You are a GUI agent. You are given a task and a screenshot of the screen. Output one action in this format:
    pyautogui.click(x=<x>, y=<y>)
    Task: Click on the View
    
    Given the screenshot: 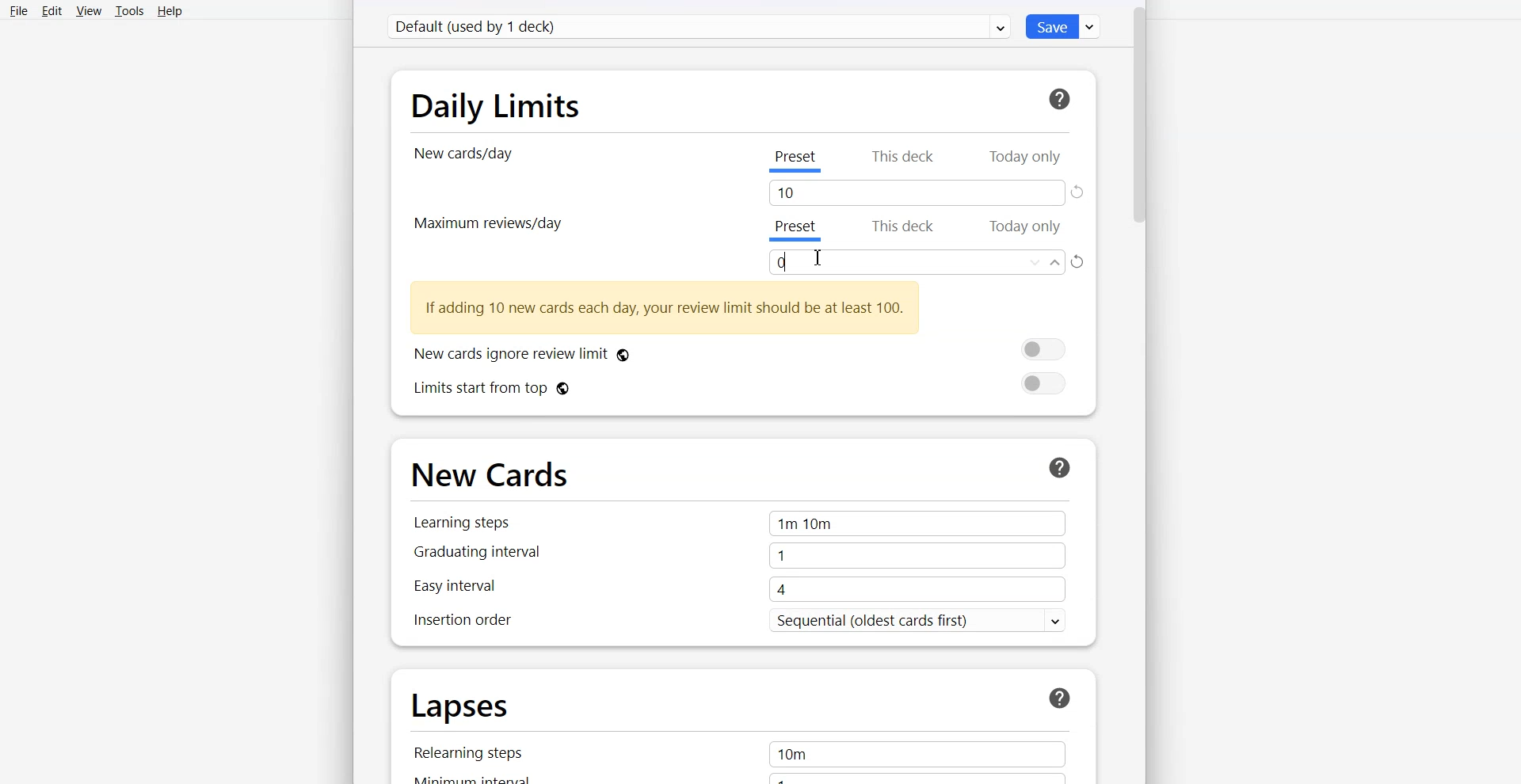 What is the action you would take?
    pyautogui.click(x=88, y=11)
    